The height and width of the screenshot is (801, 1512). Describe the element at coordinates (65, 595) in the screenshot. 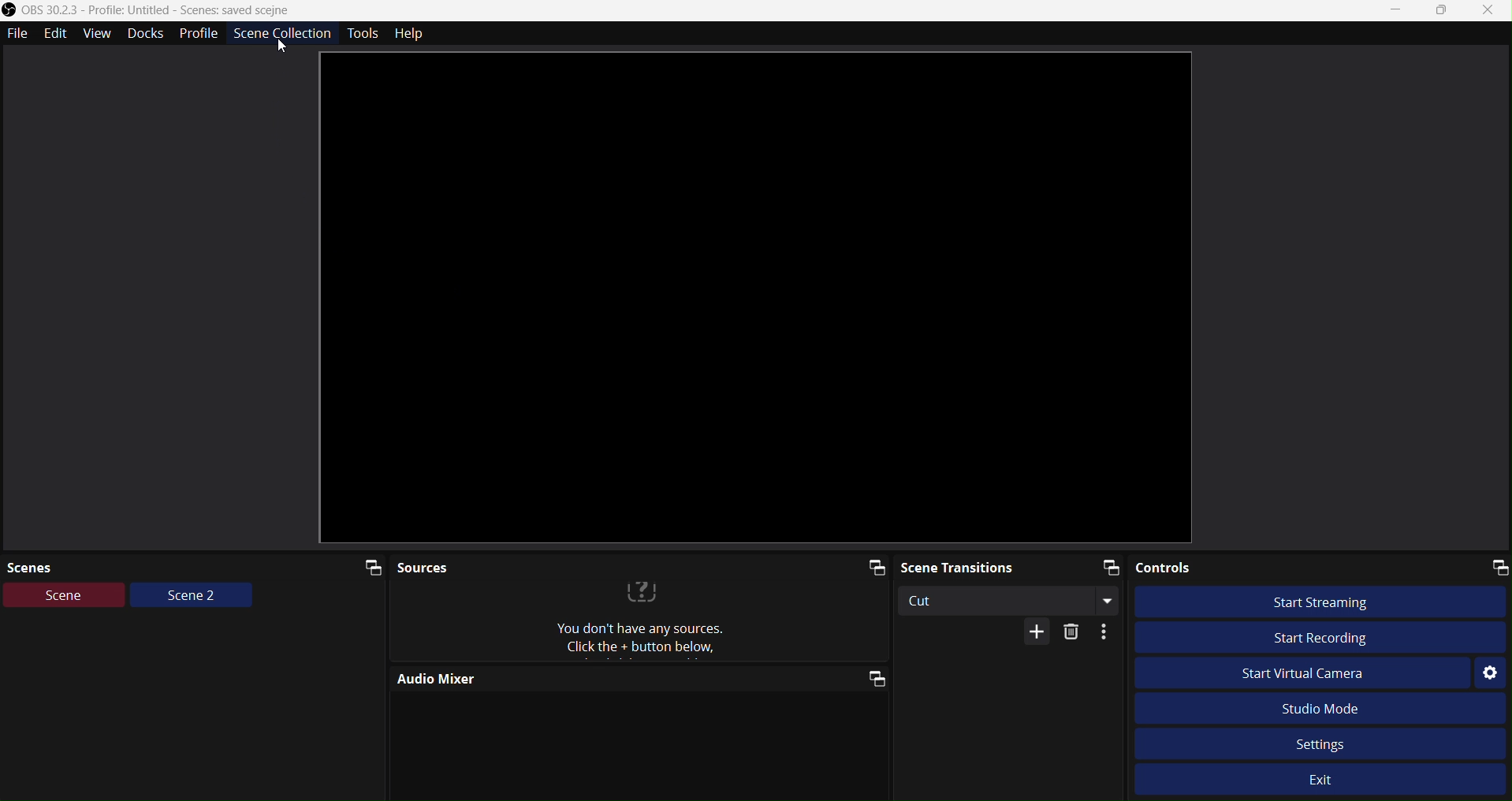

I see `Scene` at that location.